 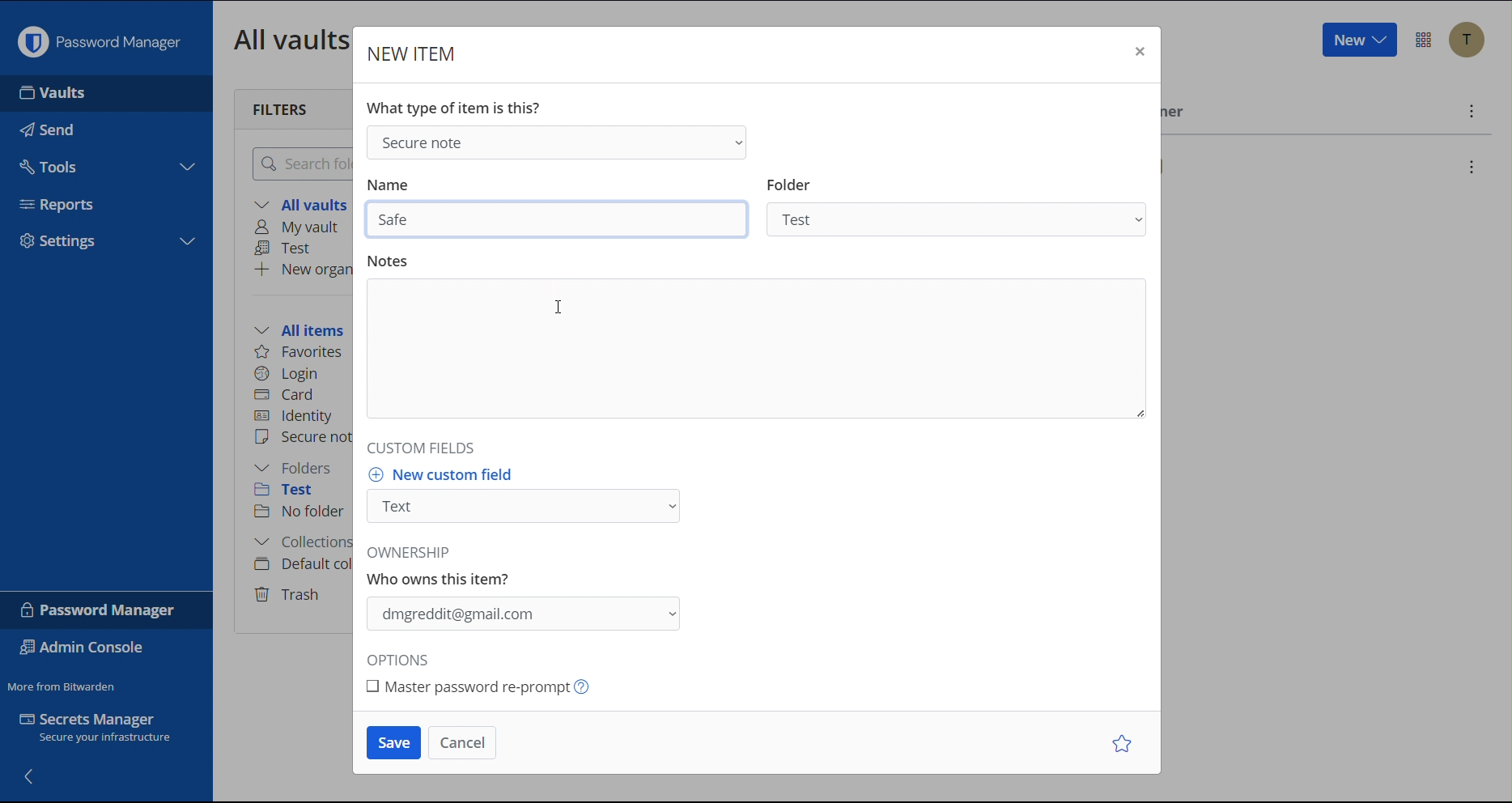 What do you see at coordinates (1424, 40) in the screenshot?
I see `More Options` at bounding box center [1424, 40].